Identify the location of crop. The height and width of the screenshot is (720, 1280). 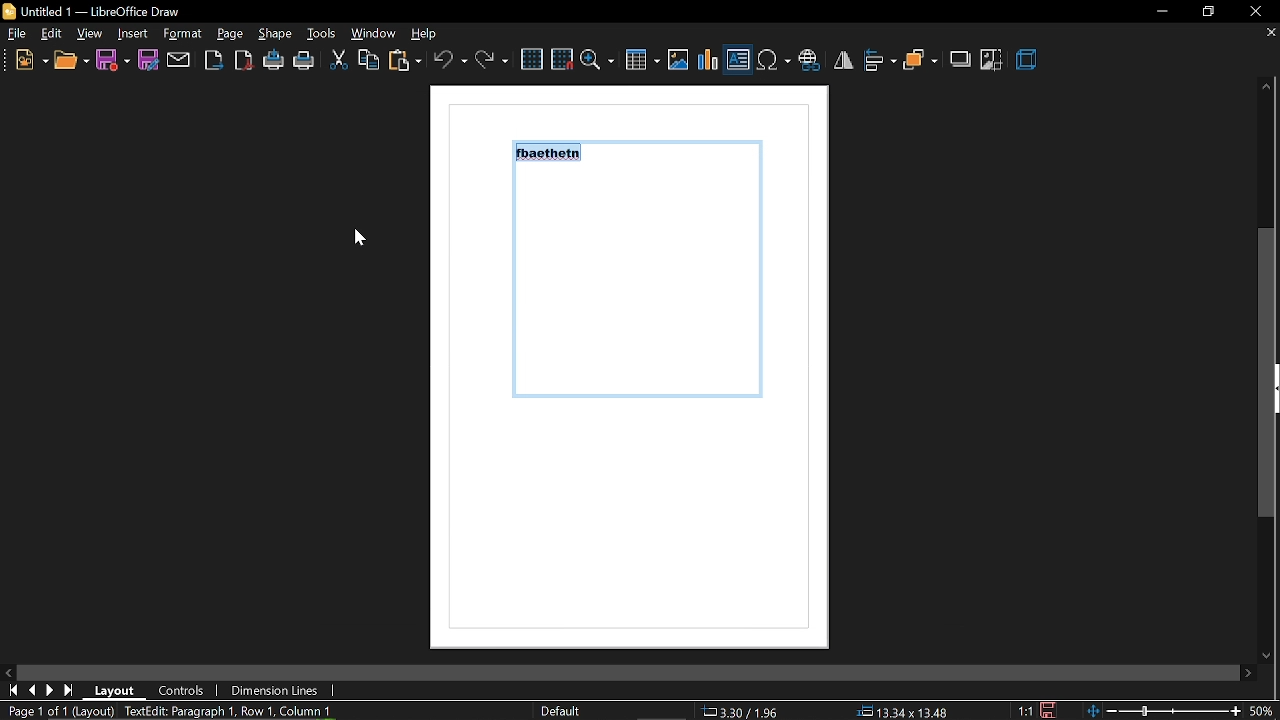
(993, 62).